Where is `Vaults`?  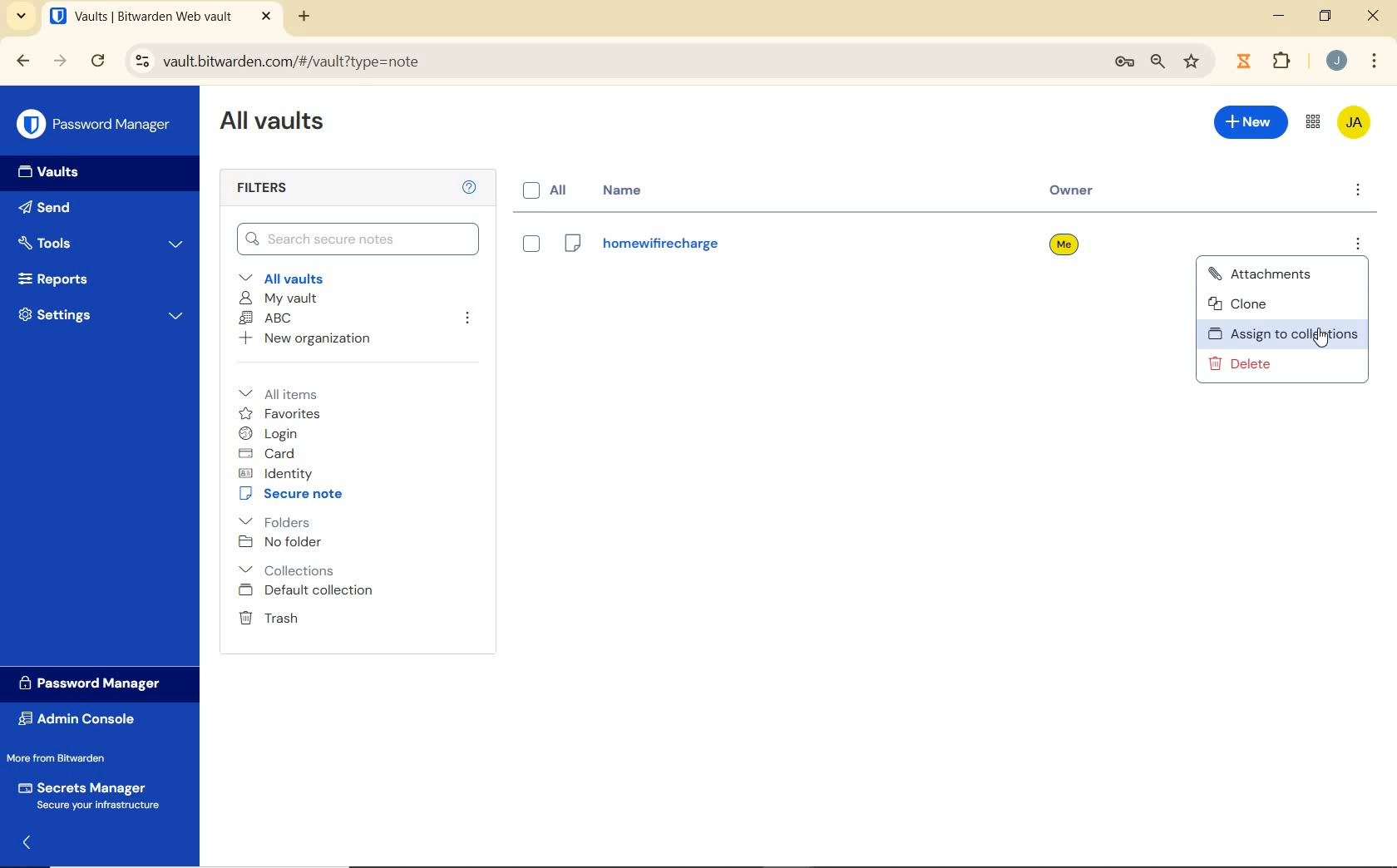
Vaults is located at coordinates (43, 172).